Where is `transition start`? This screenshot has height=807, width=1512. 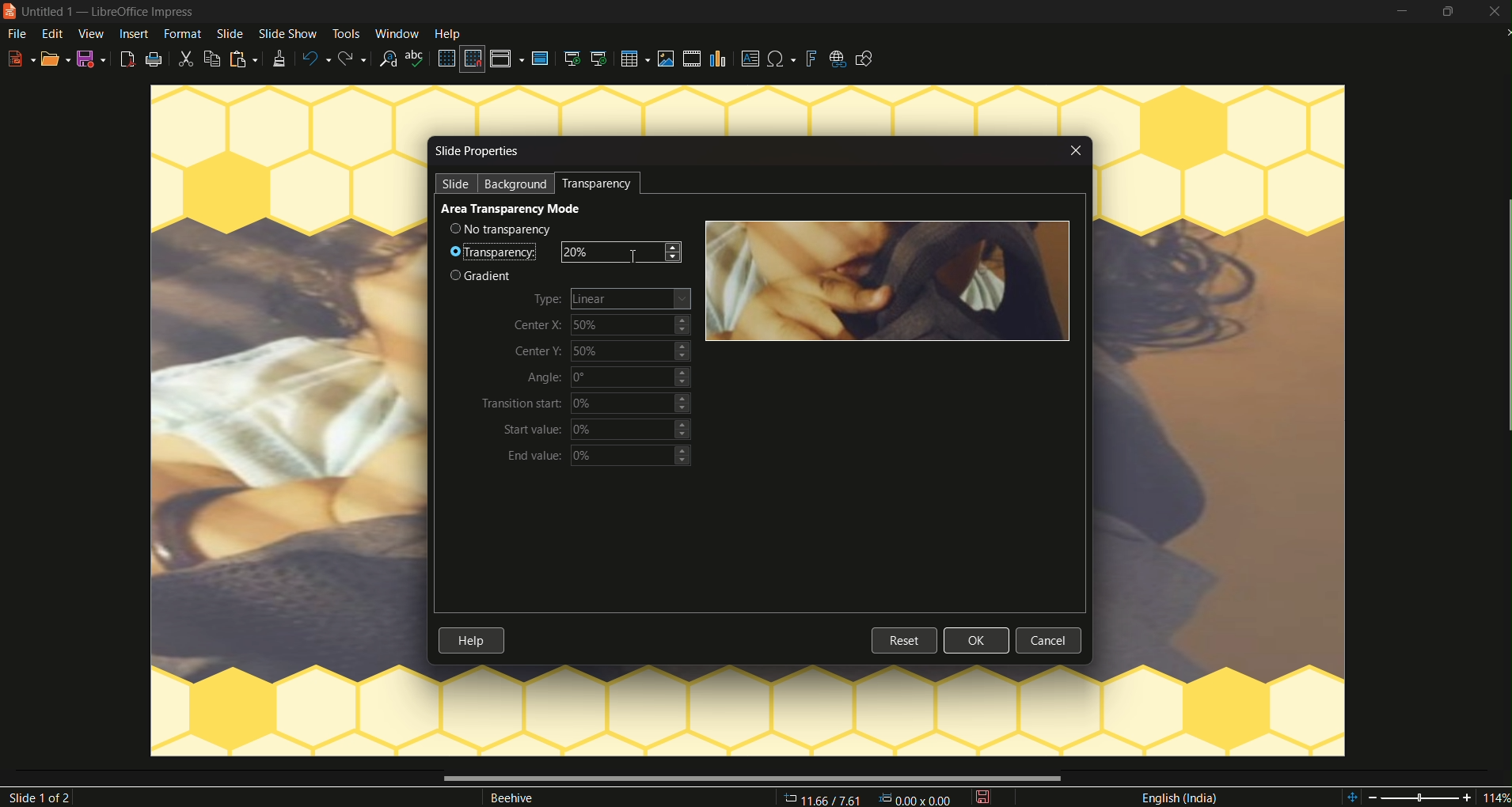
transition start is located at coordinates (522, 403).